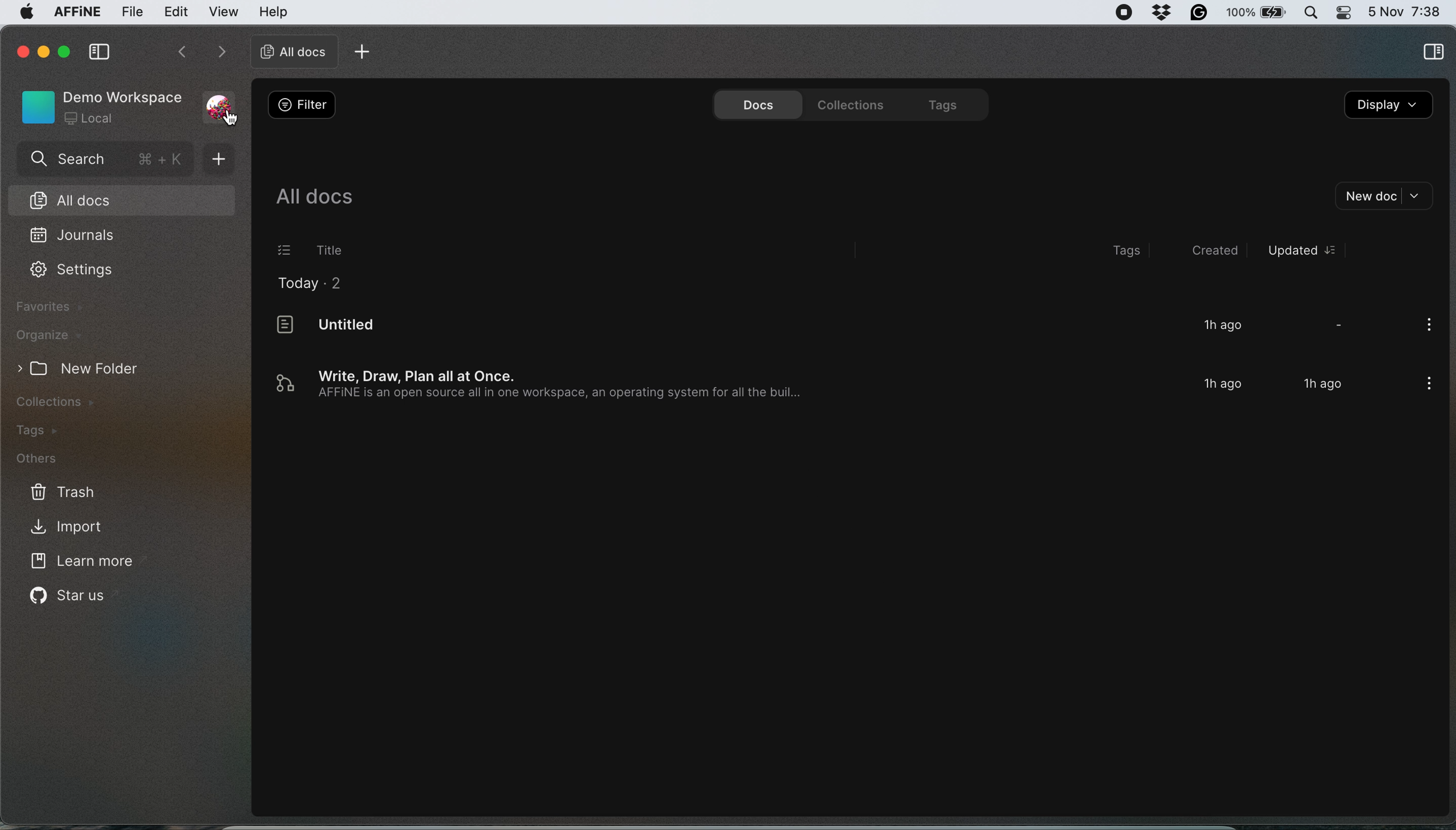 This screenshot has height=830, width=1456. I want to click on new tab, so click(365, 51).